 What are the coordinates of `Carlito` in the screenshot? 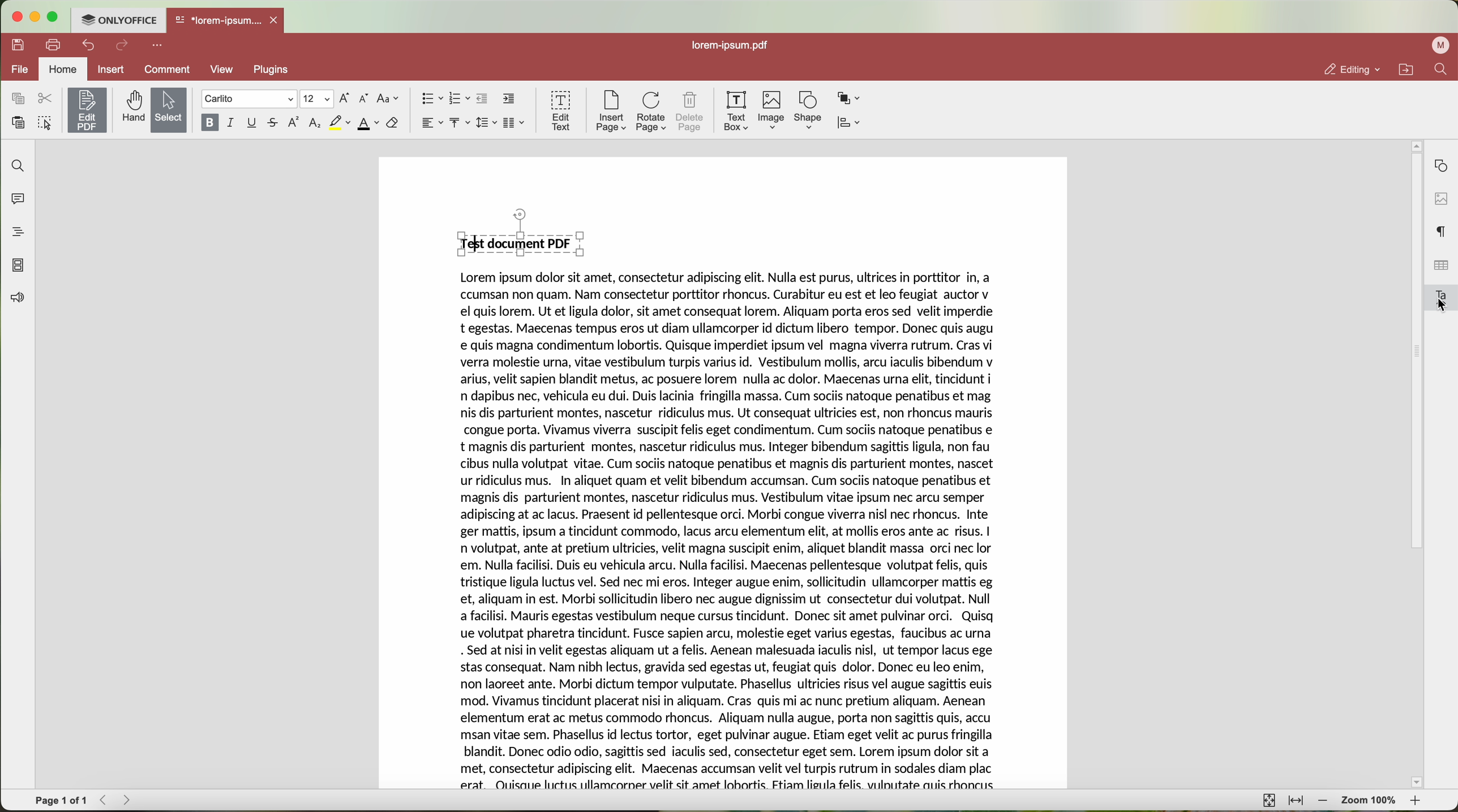 It's located at (248, 99).